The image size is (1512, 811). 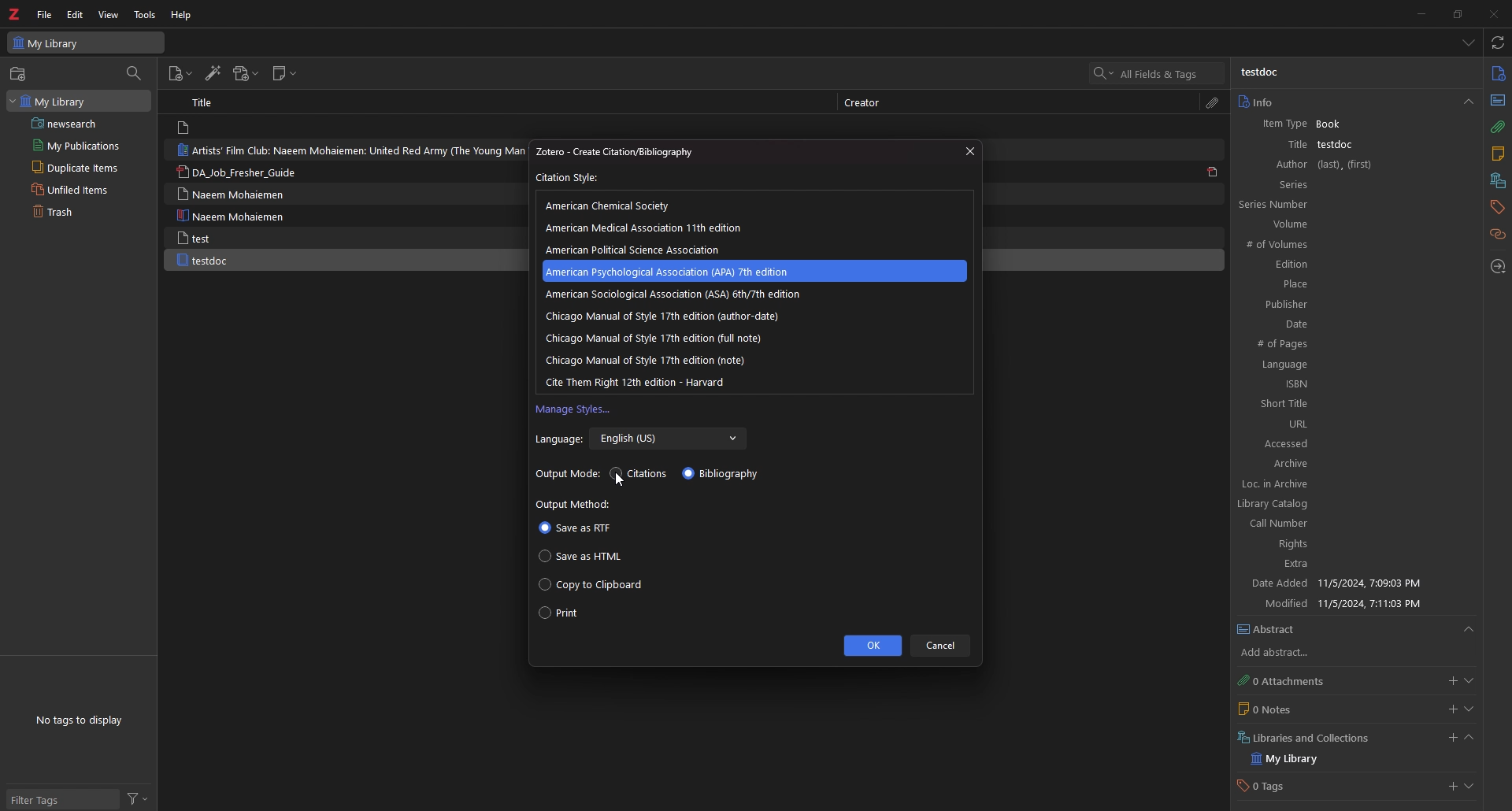 I want to click on testdoc, so click(x=205, y=261).